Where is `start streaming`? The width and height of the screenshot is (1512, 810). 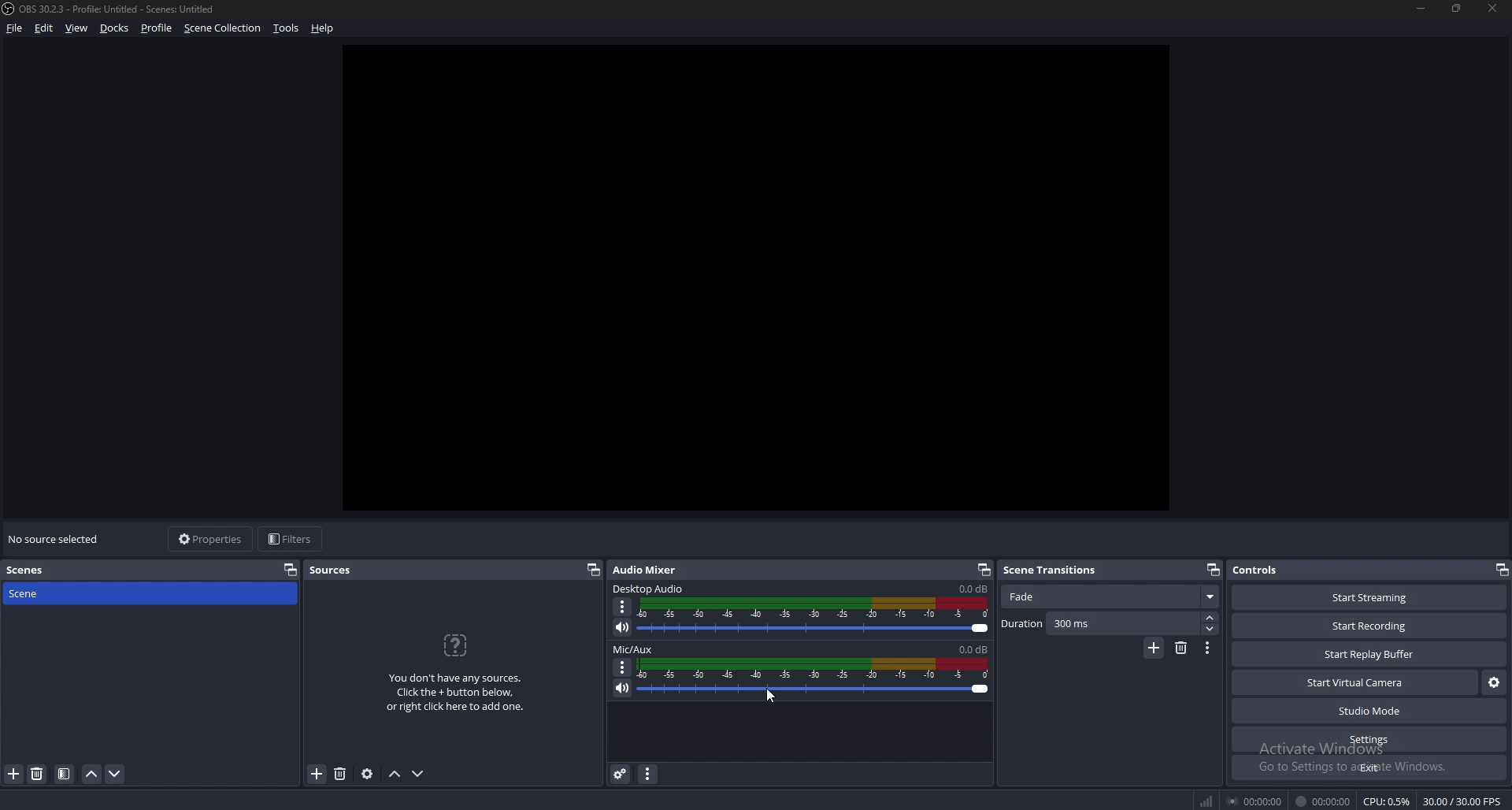 start streaming is located at coordinates (1368, 597).